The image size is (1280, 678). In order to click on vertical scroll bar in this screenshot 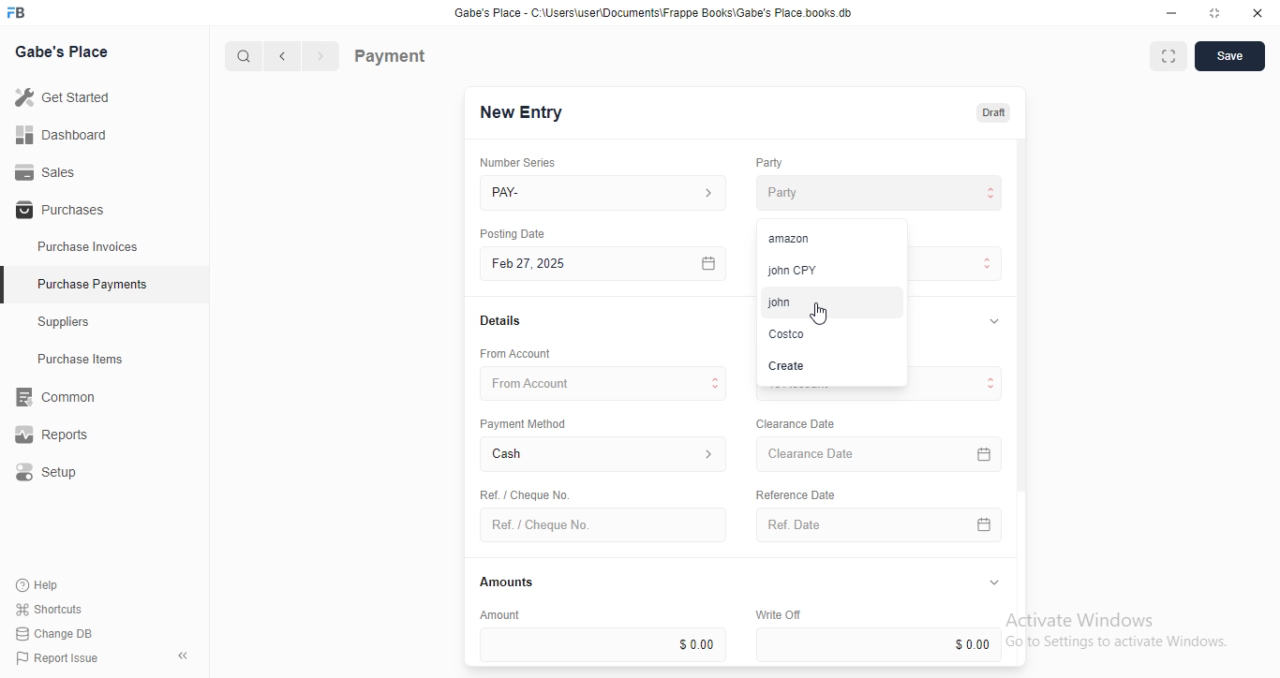, I will do `click(1022, 403)`.